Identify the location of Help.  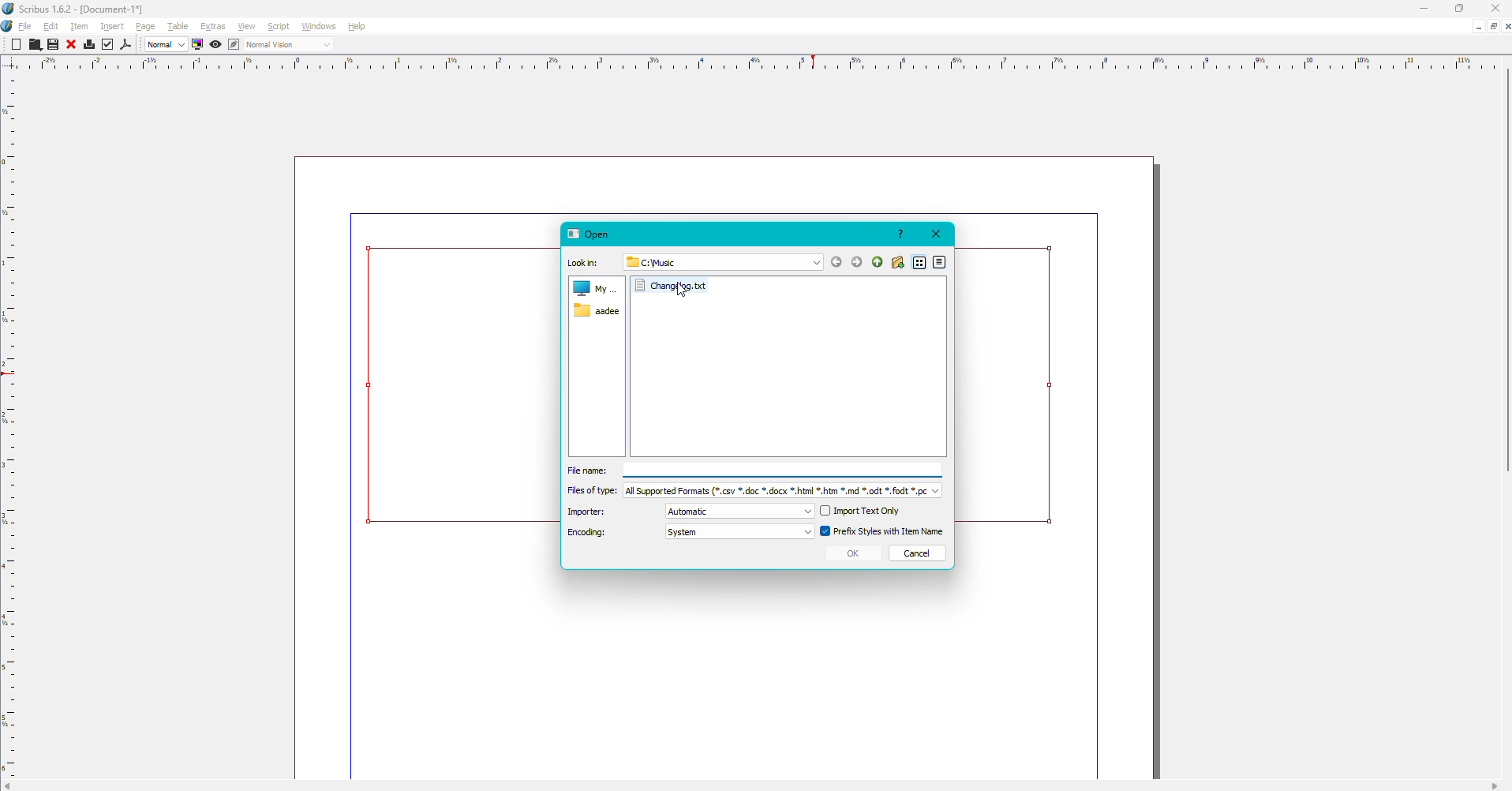
(355, 27).